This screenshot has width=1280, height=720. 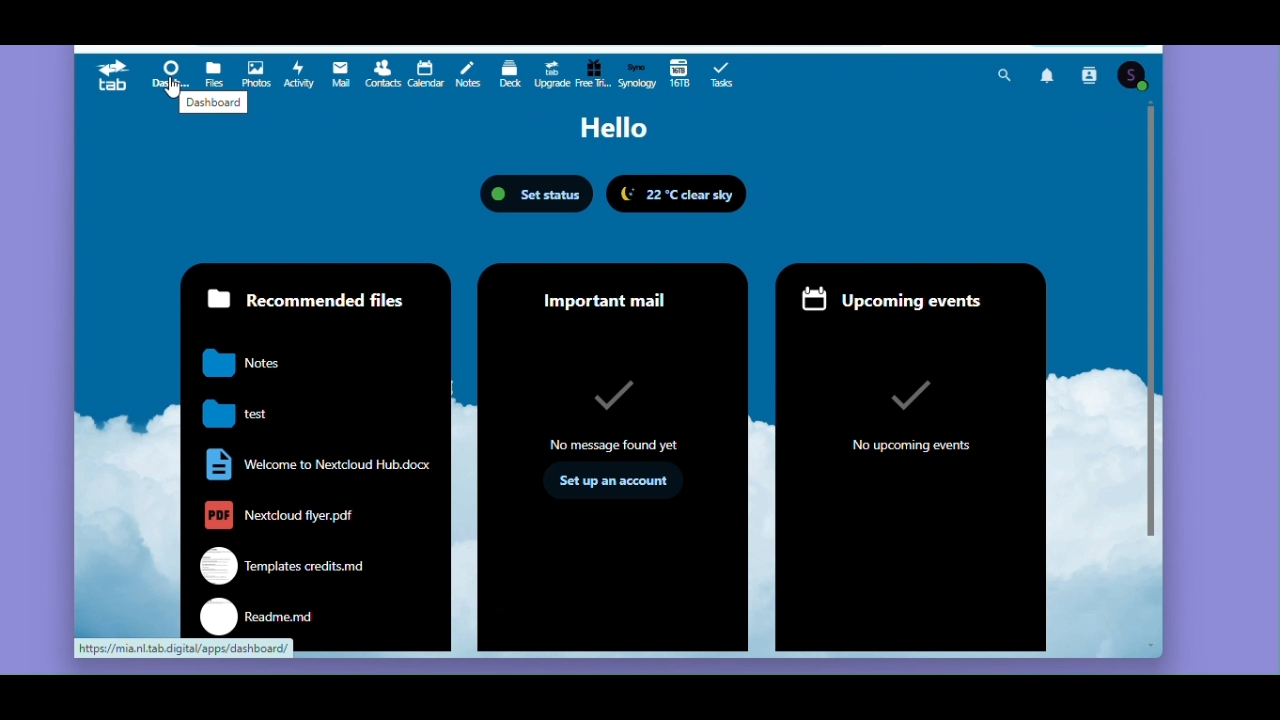 What do you see at coordinates (1152, 336) in the screenshot?
I see `Vertical scrollbar` at bounding box center [1152, 336].